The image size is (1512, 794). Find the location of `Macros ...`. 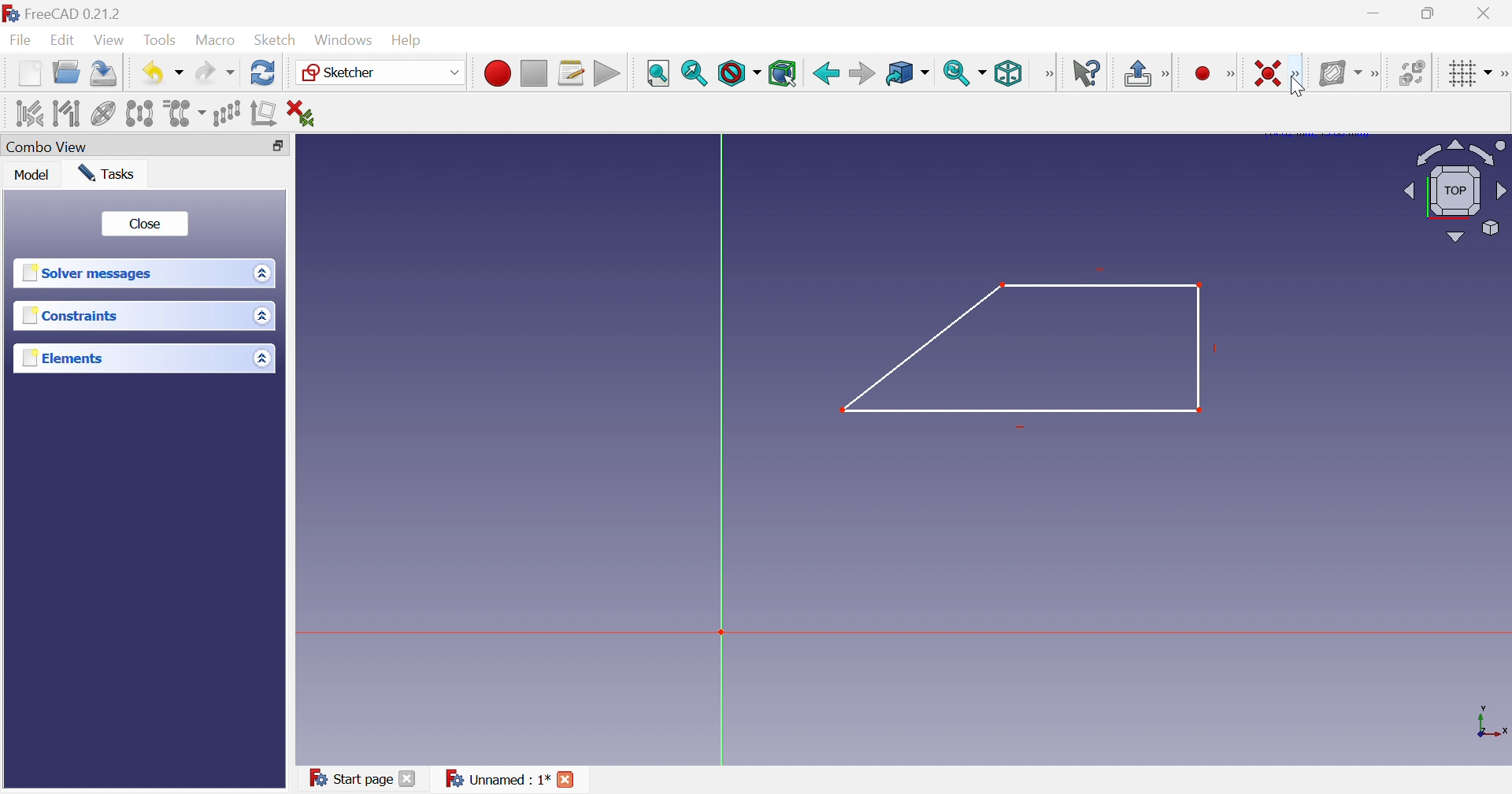

Macros ... is located at coordinates (571, 72).